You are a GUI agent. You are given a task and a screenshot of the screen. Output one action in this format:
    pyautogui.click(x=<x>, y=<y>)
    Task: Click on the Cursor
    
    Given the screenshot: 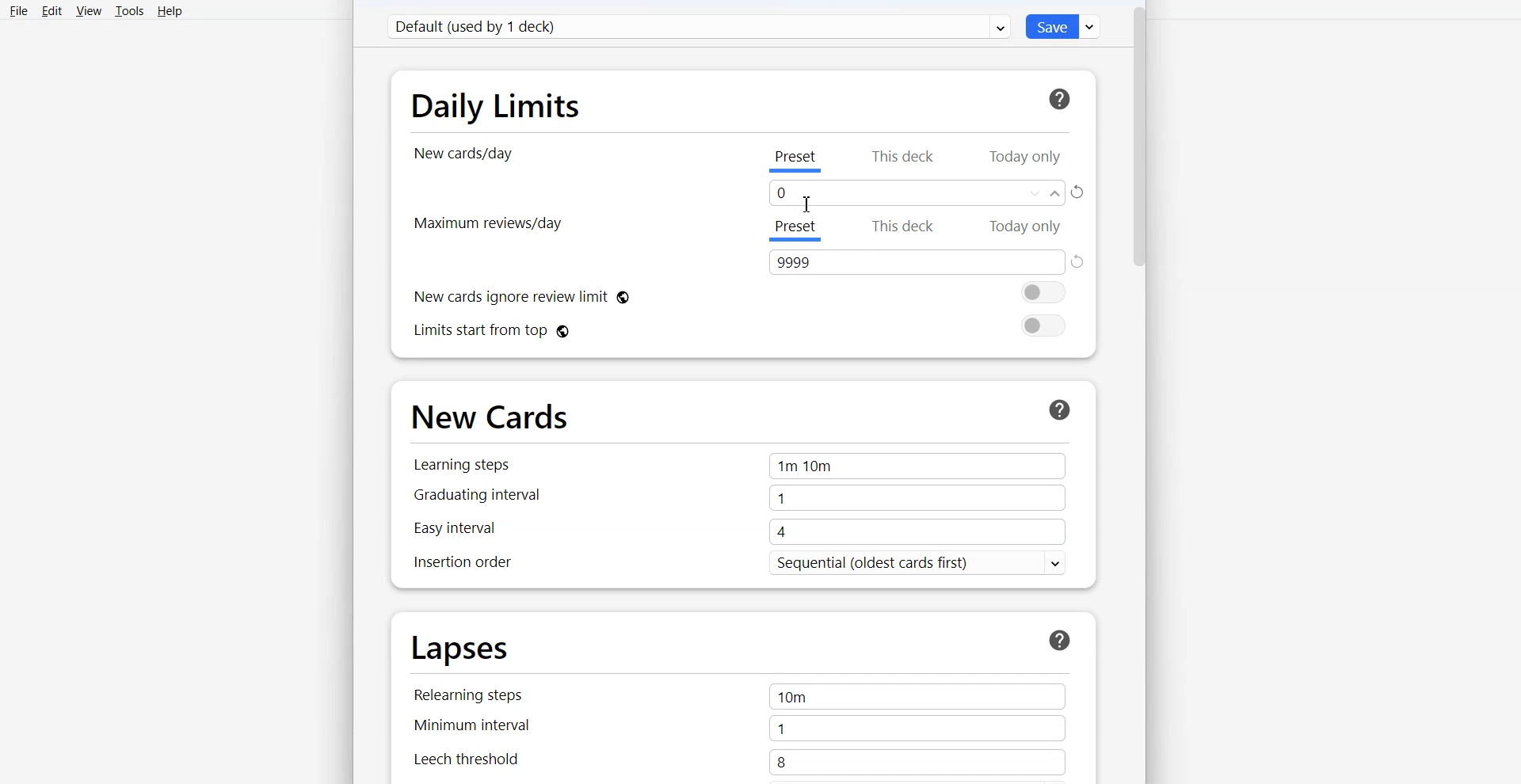 What is the action you would take?
    pyautogui.click(x=806, y=204)
    